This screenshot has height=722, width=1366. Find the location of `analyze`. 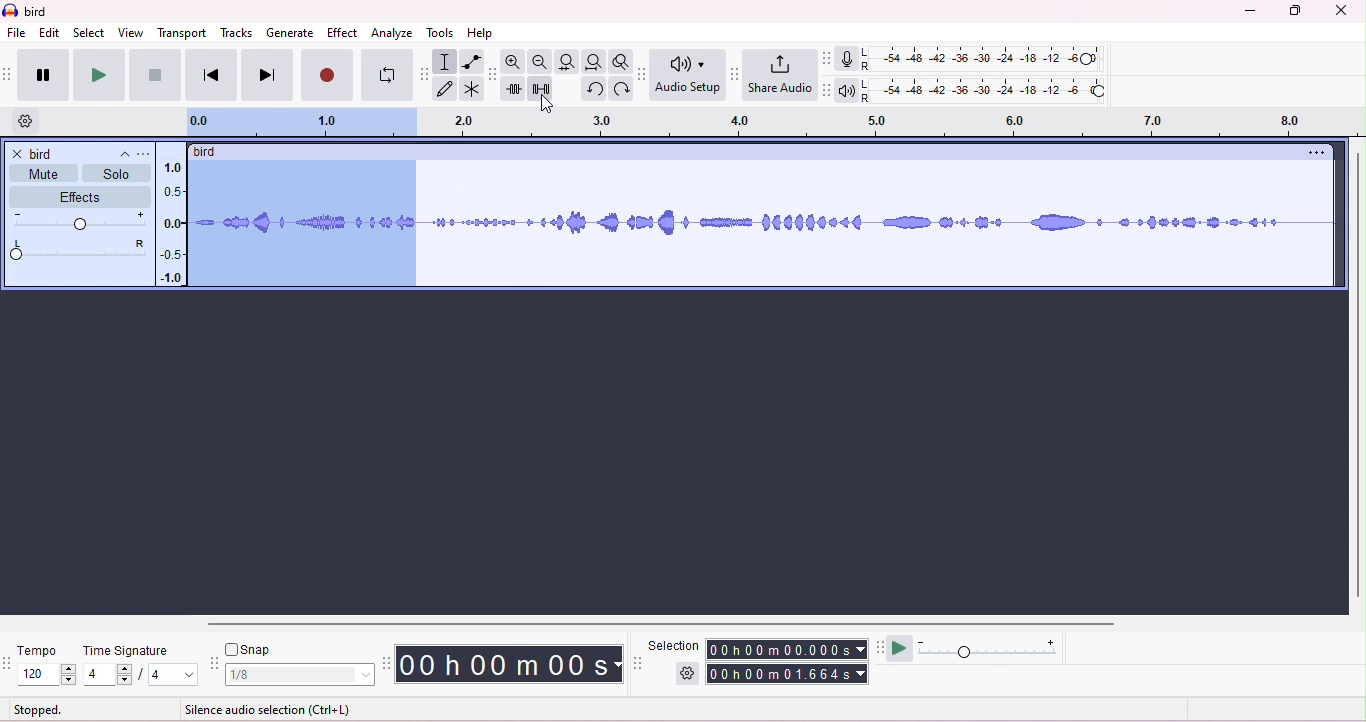

analyze is located at coordinates (392, 34).